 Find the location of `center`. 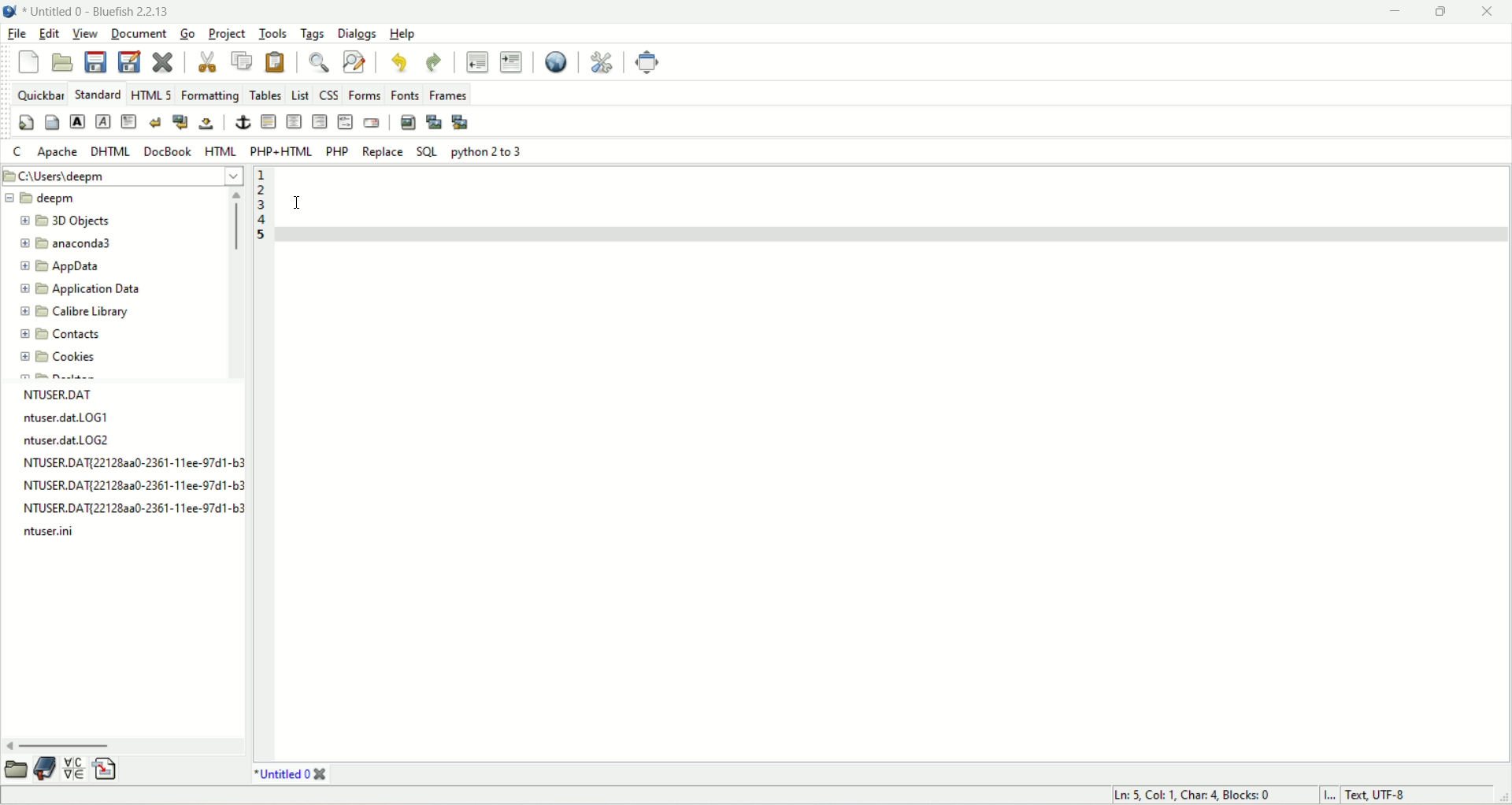

center is located at coordinates (294, 121).